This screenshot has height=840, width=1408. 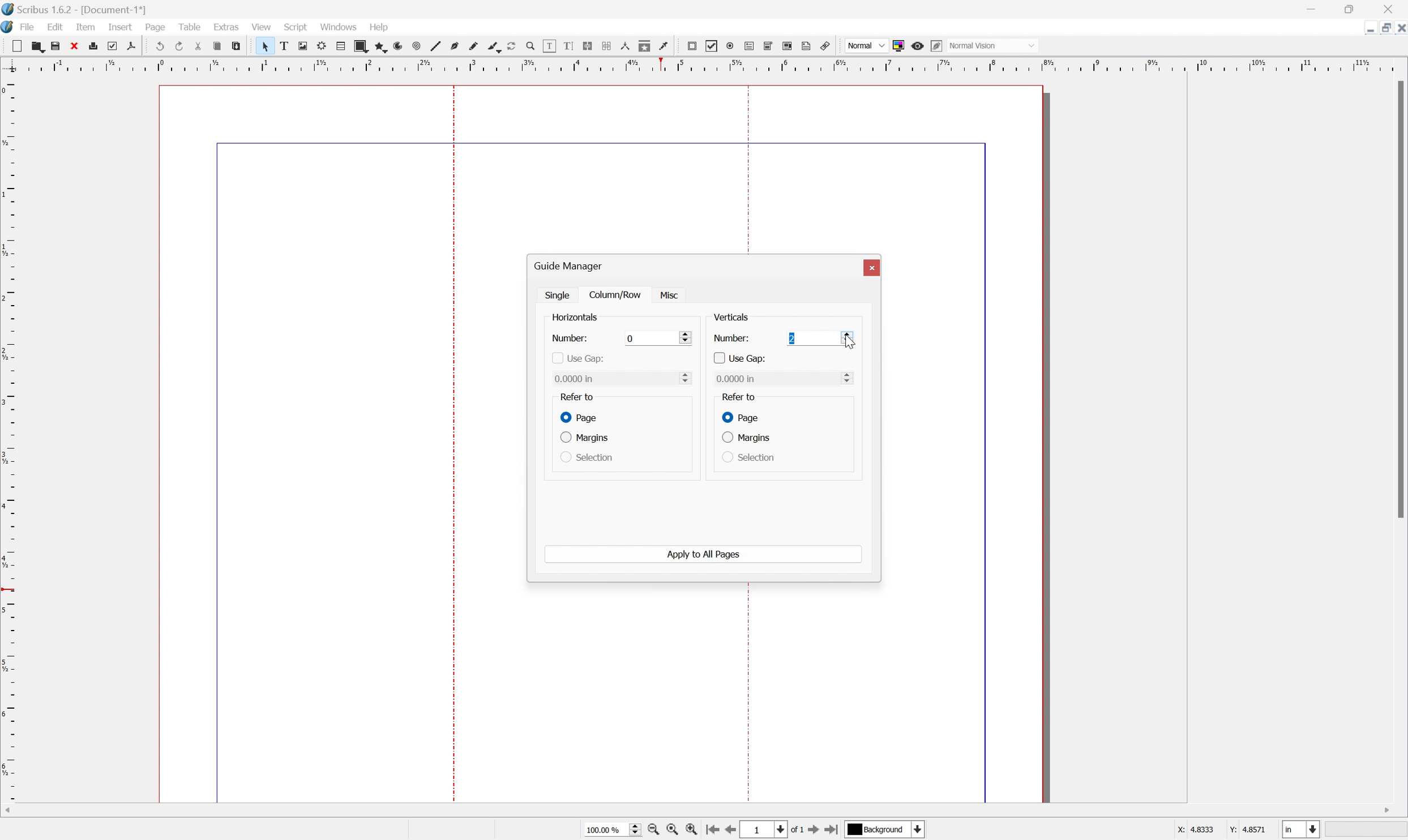 What do you see at coordinates (700, 811) in the screenshot?
I see `scroll bar` at bounding box center [700, 811].